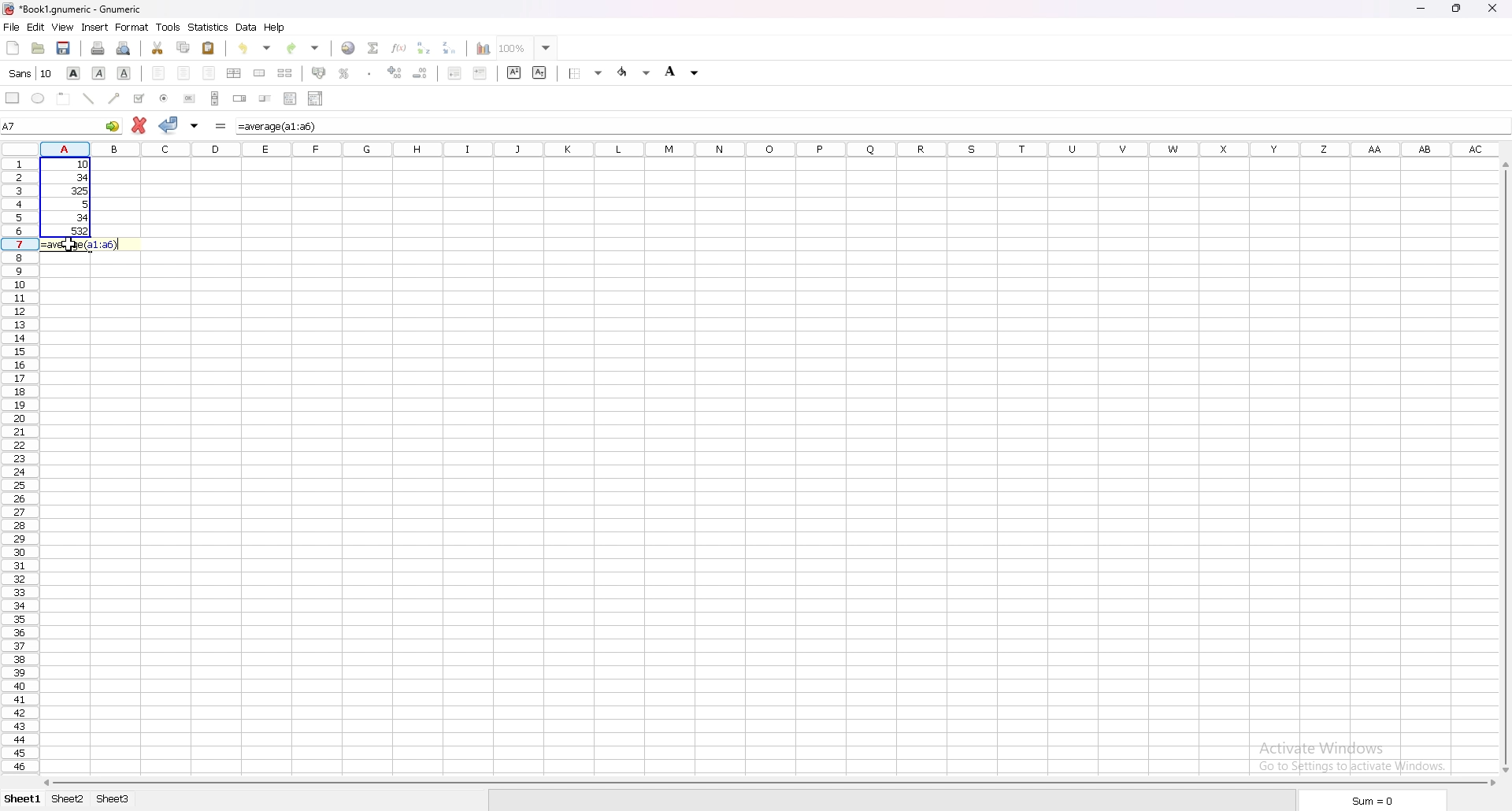 The image size is (1512, 811). I want to click on summation, so click(374, 48).